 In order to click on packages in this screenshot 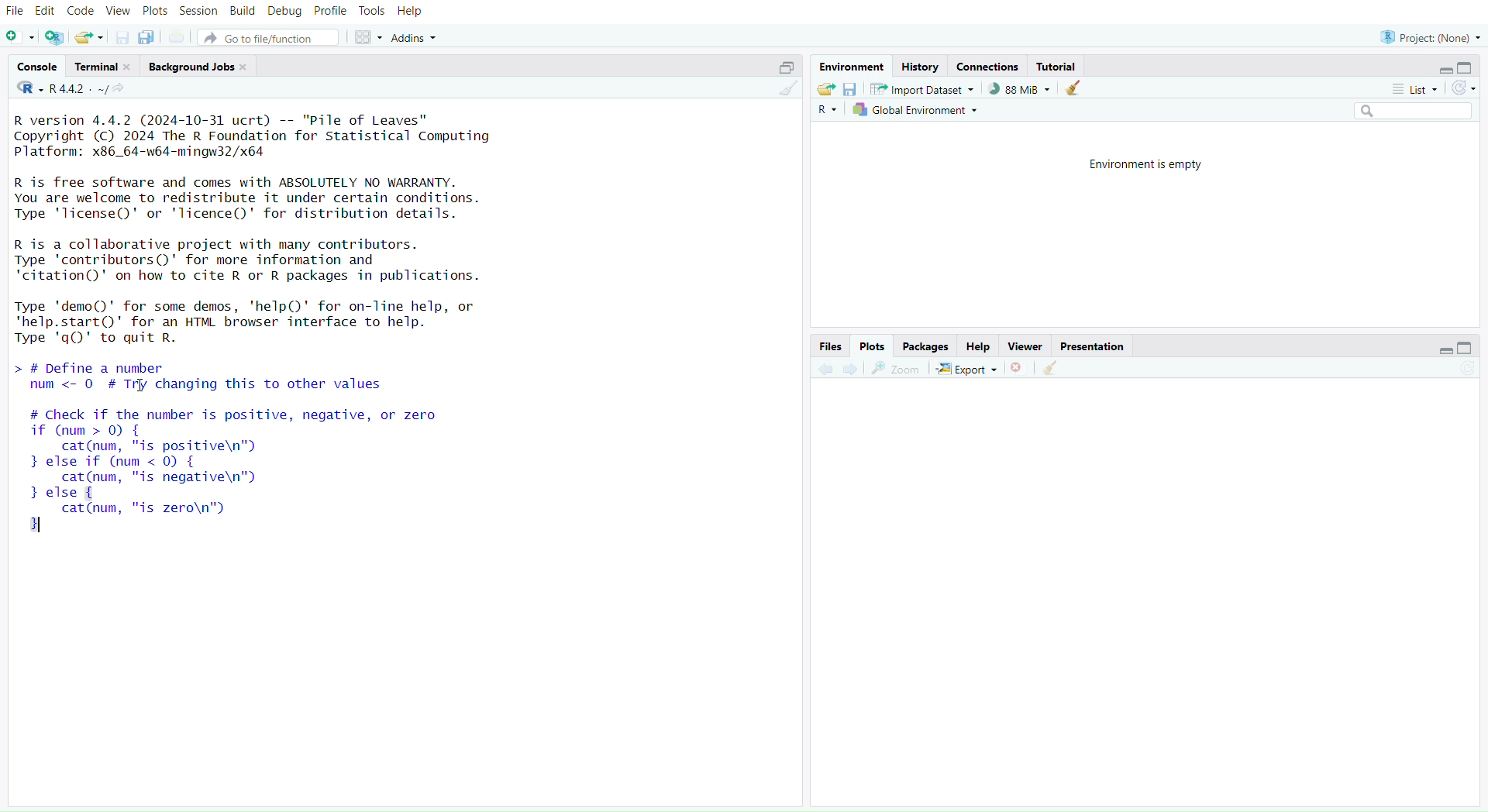, I will do `click(926, 347)`.